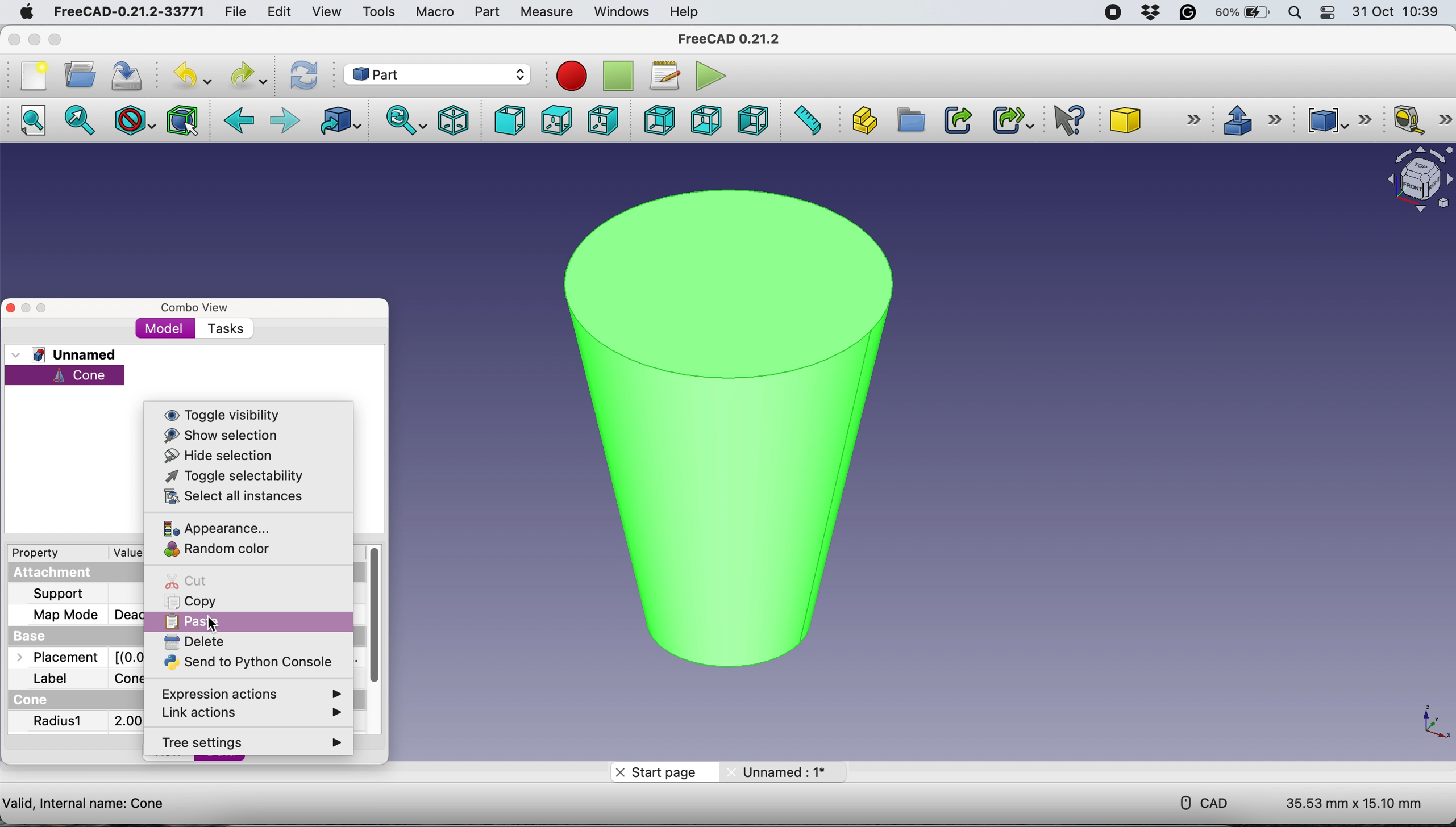 This screenshot has height=827, width=1456. Describe the element at coordinates (783, 770) in the screenshot. I see `unnamed : 1*` at that location.